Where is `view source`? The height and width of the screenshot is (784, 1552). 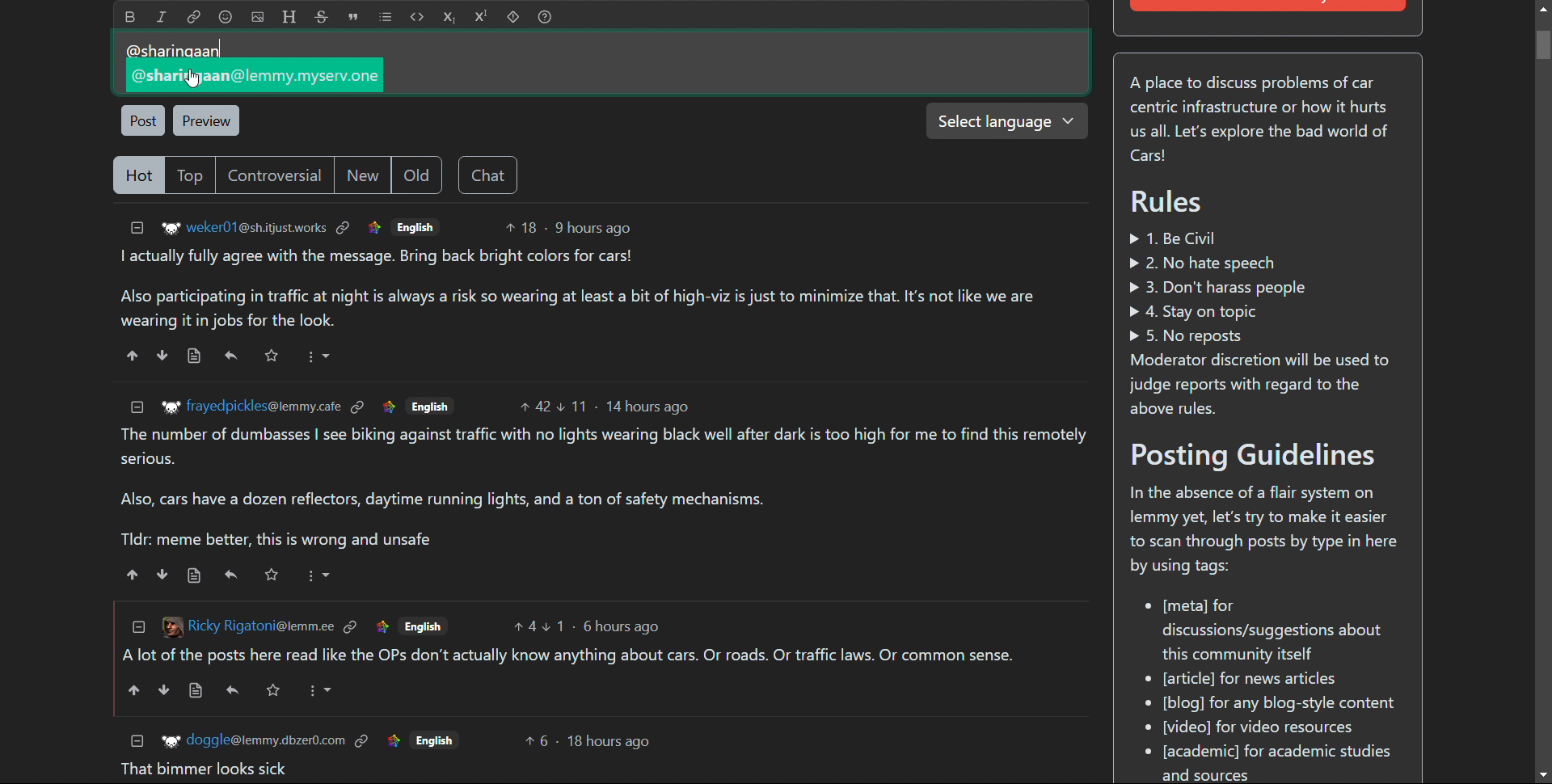 view source is located at coordinates (195, 575).